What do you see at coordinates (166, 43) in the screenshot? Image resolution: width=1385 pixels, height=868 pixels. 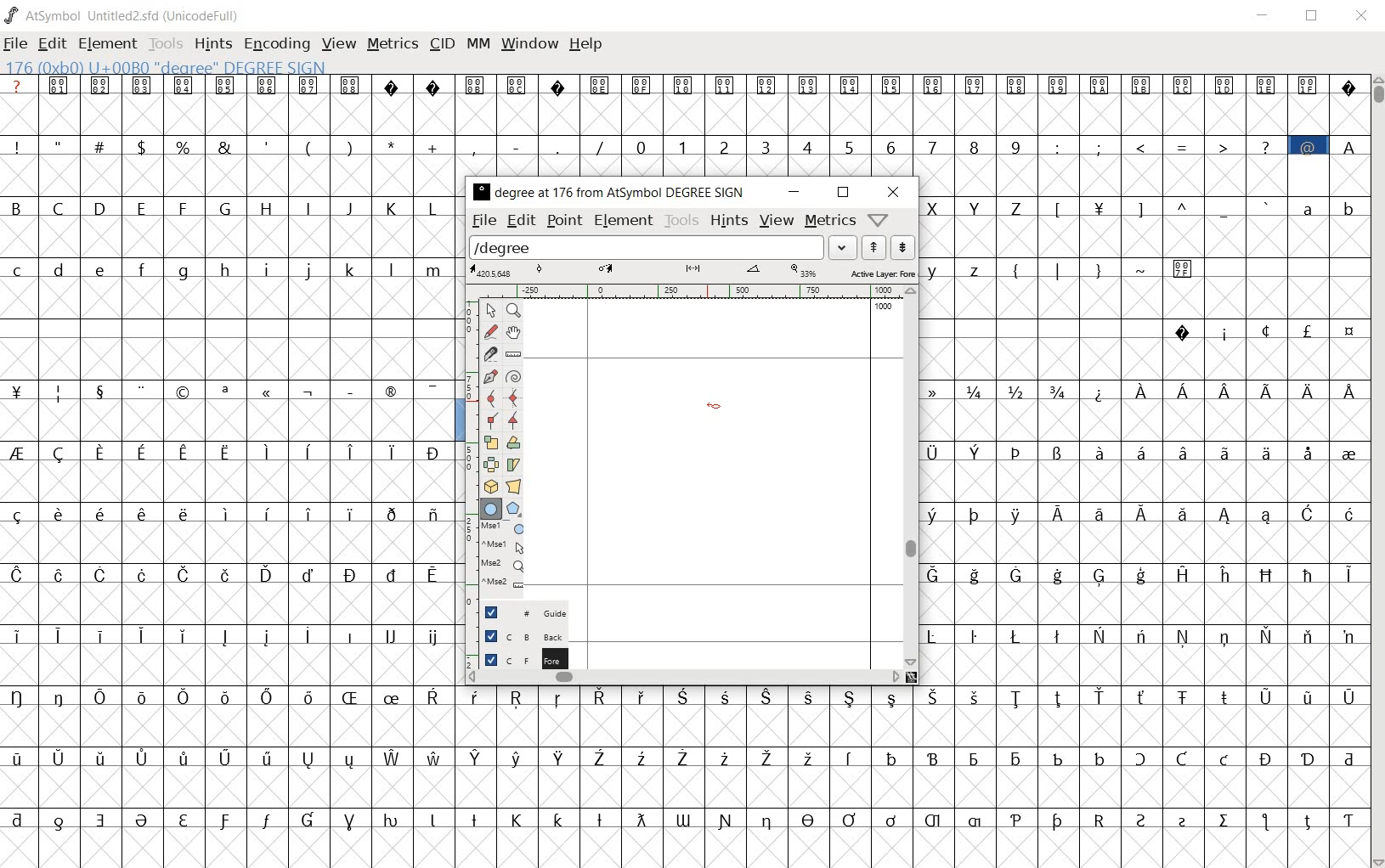 I see `tools` at bounding box center [166, 43].